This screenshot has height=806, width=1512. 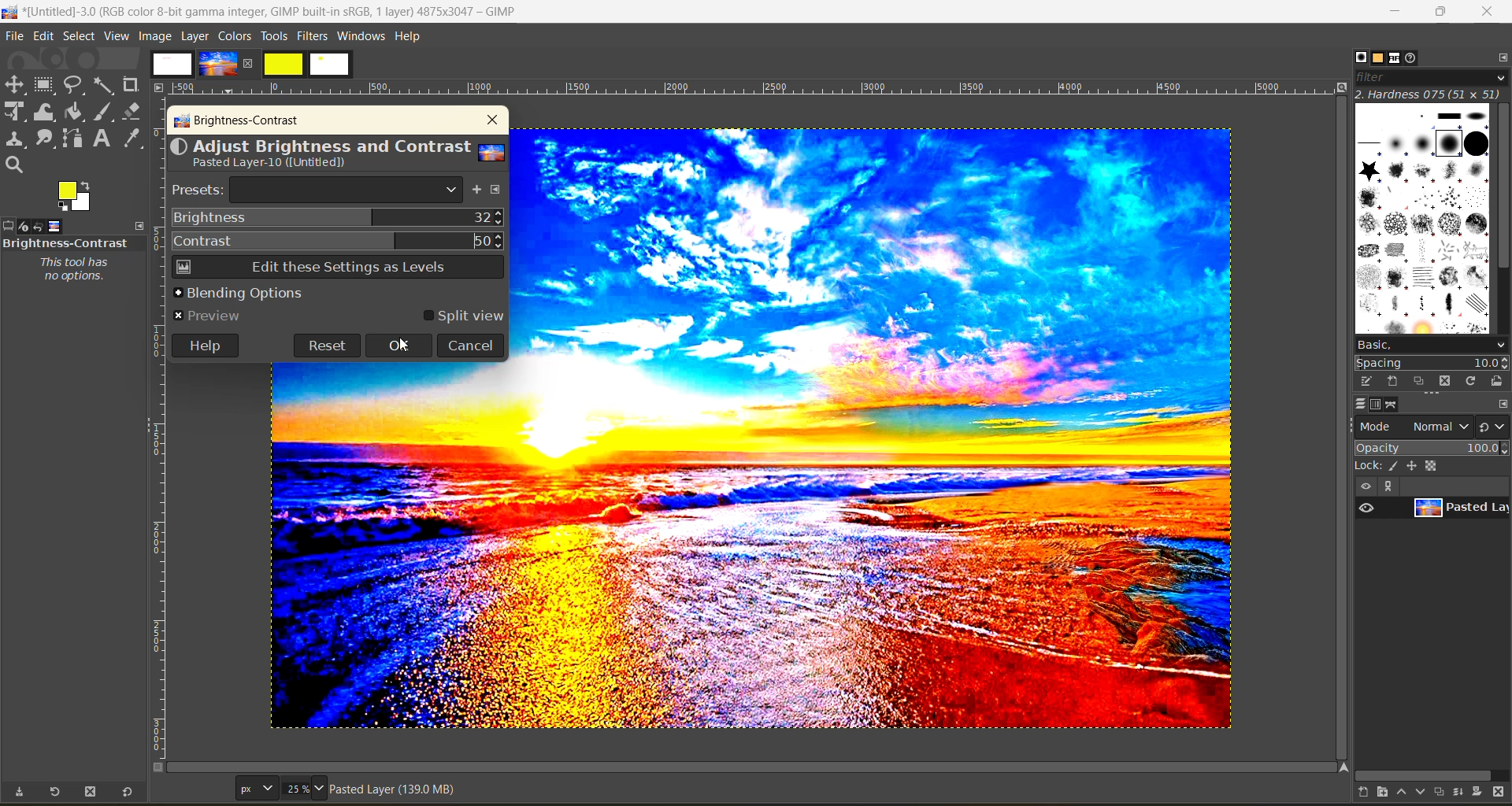 I want to click on layer, so click(x=1460, y=508).